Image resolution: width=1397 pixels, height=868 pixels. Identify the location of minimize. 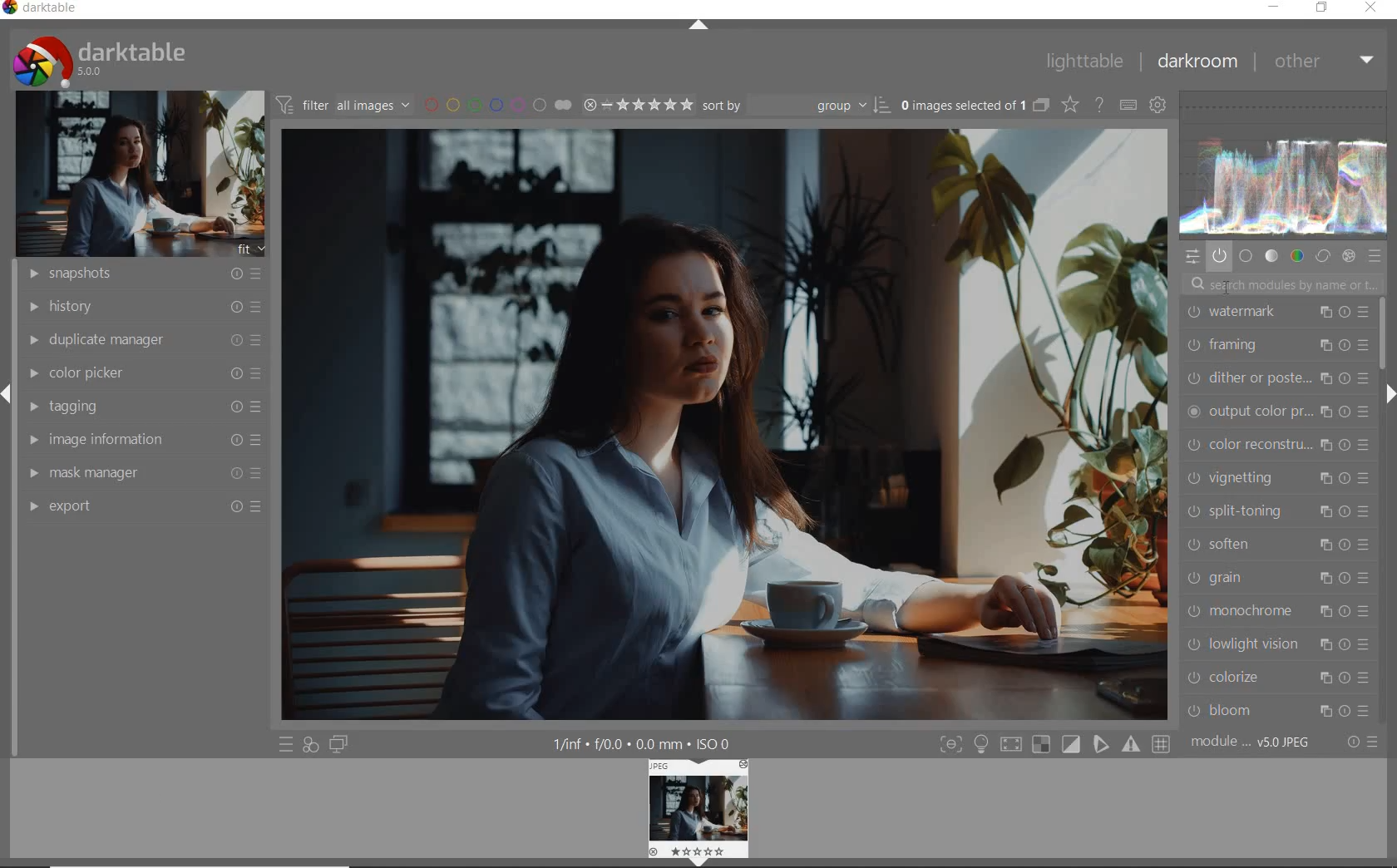
(1274, 7).